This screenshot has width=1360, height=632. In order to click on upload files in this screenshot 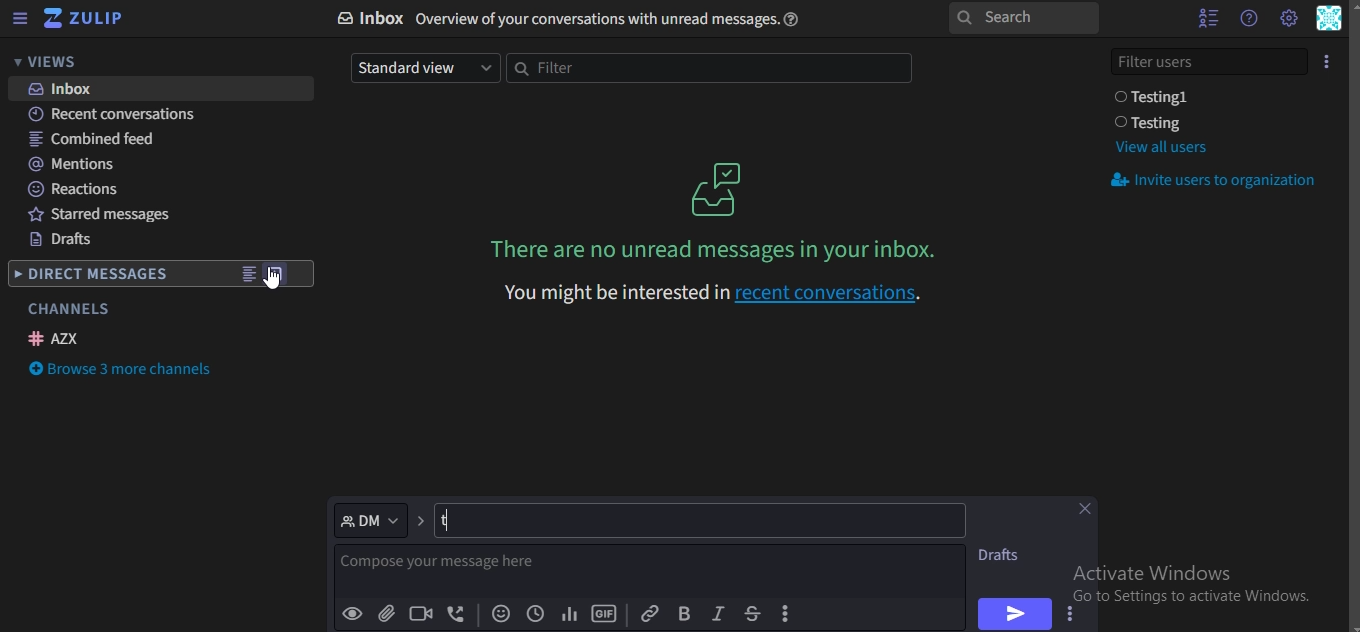, I will do `click(388, 615)`.